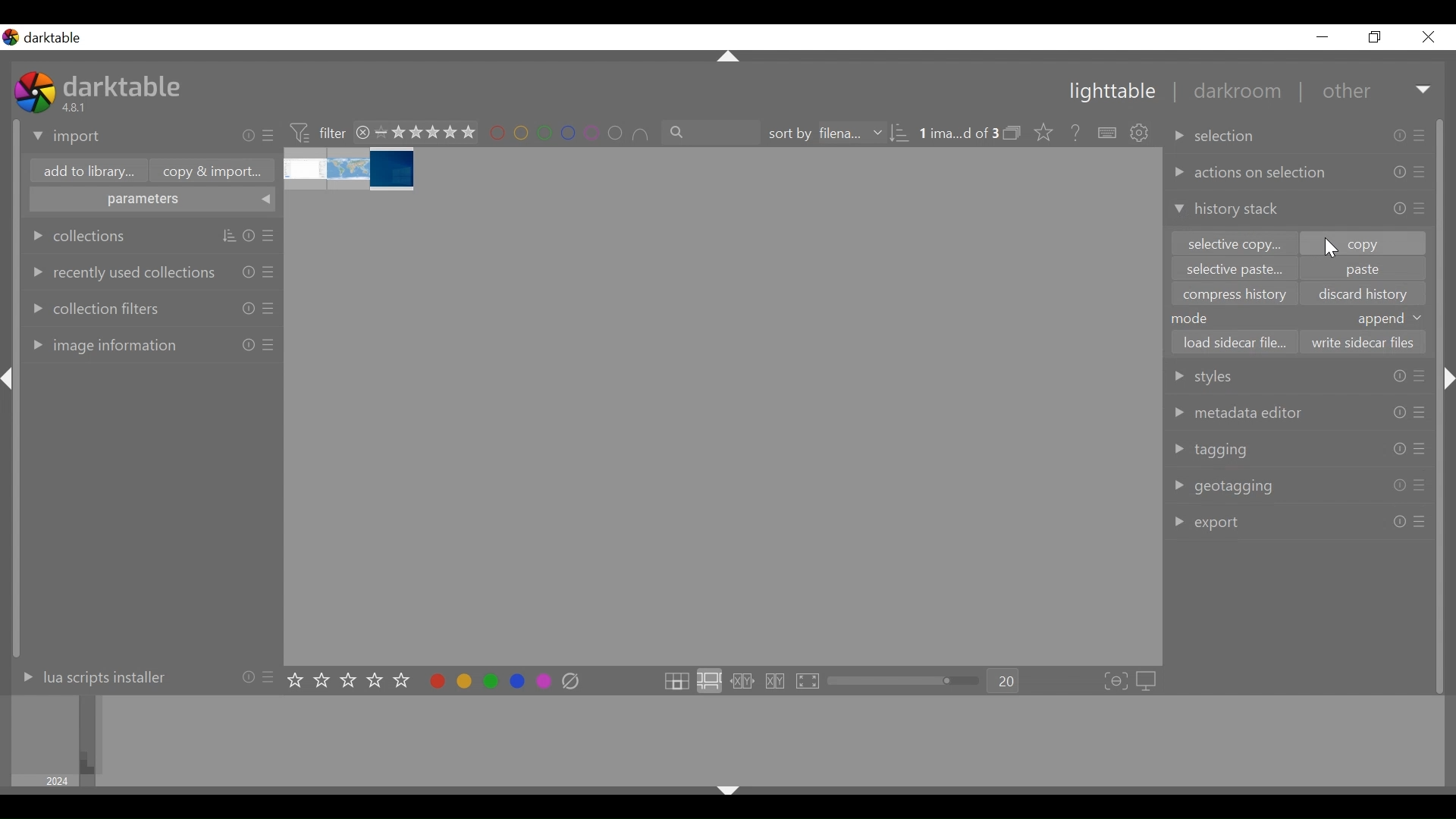 The width and height of the screenshot is (1456, 819). I want to click on selective paste, so click(1232, 269).